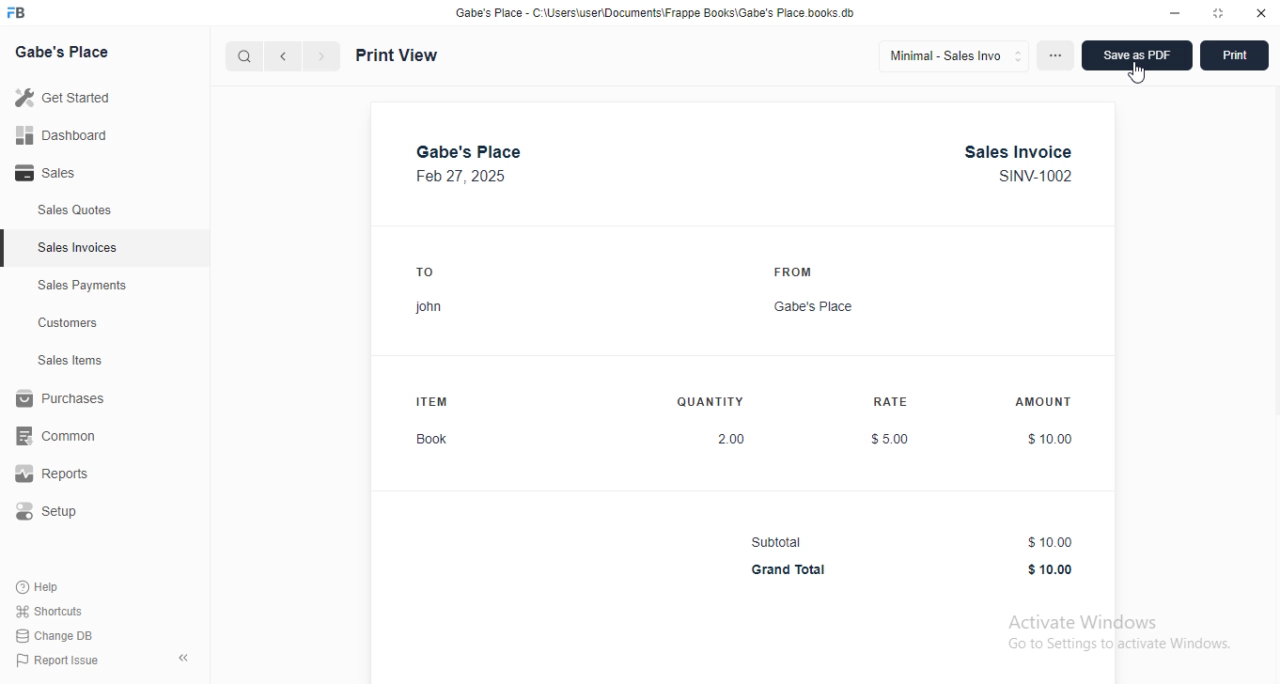 Image resolution: width=1280 pixels, height=684 pixels. Describe the element at coordinates (429, 308) in the screenshot. I see `john` at that location.